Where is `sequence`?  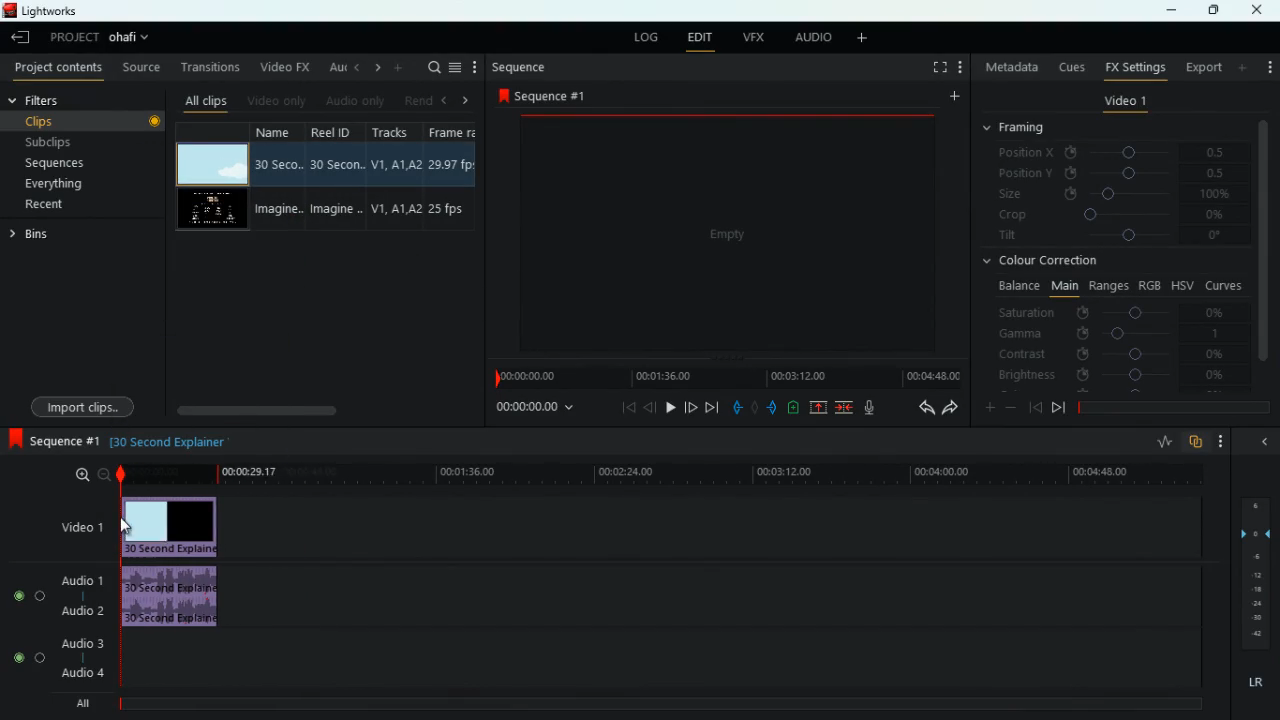
sequence is located at coordinates (522, 68).